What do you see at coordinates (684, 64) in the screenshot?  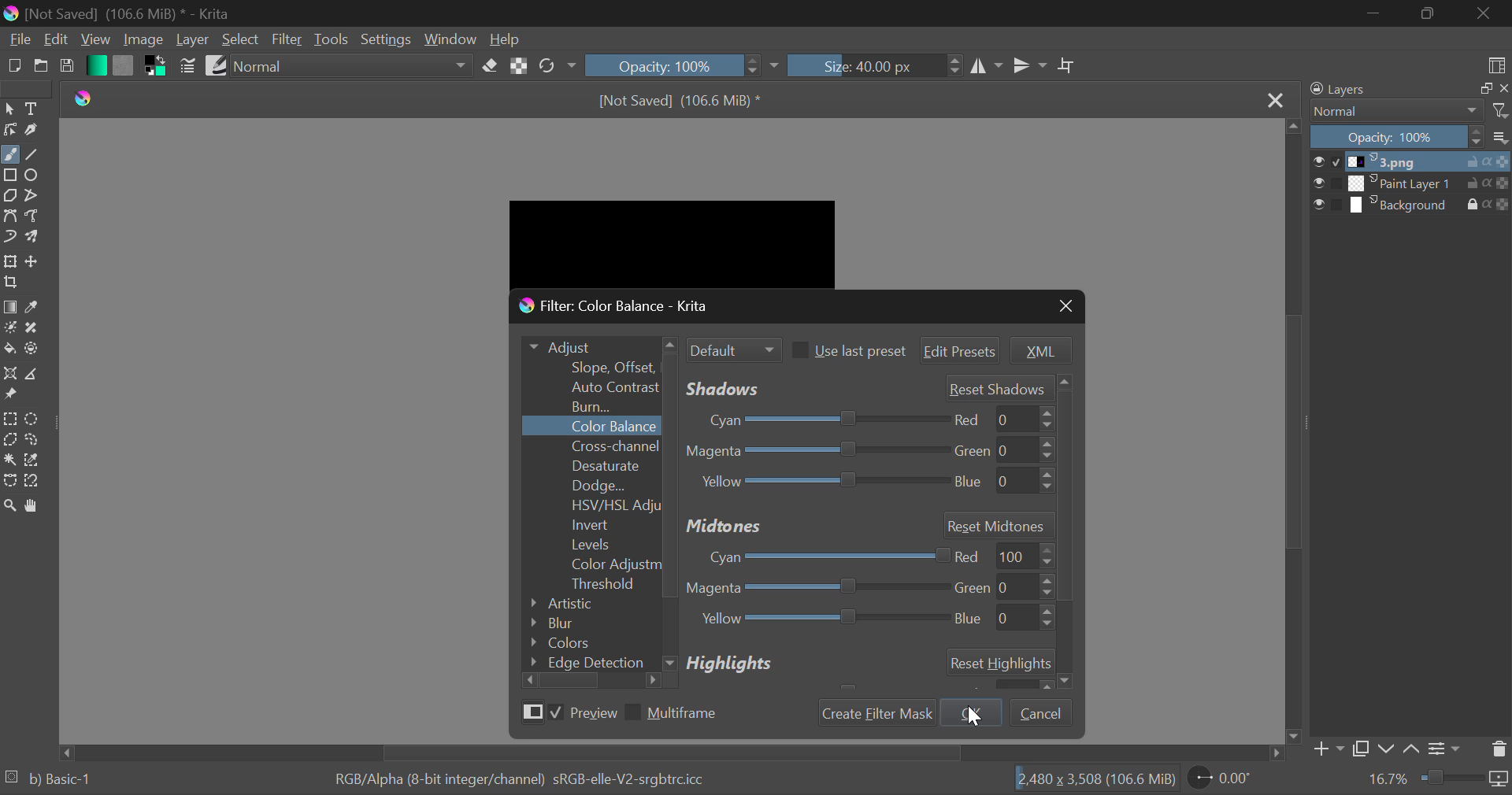 I see `Opacity 100%` at bounding box center [684, 64].